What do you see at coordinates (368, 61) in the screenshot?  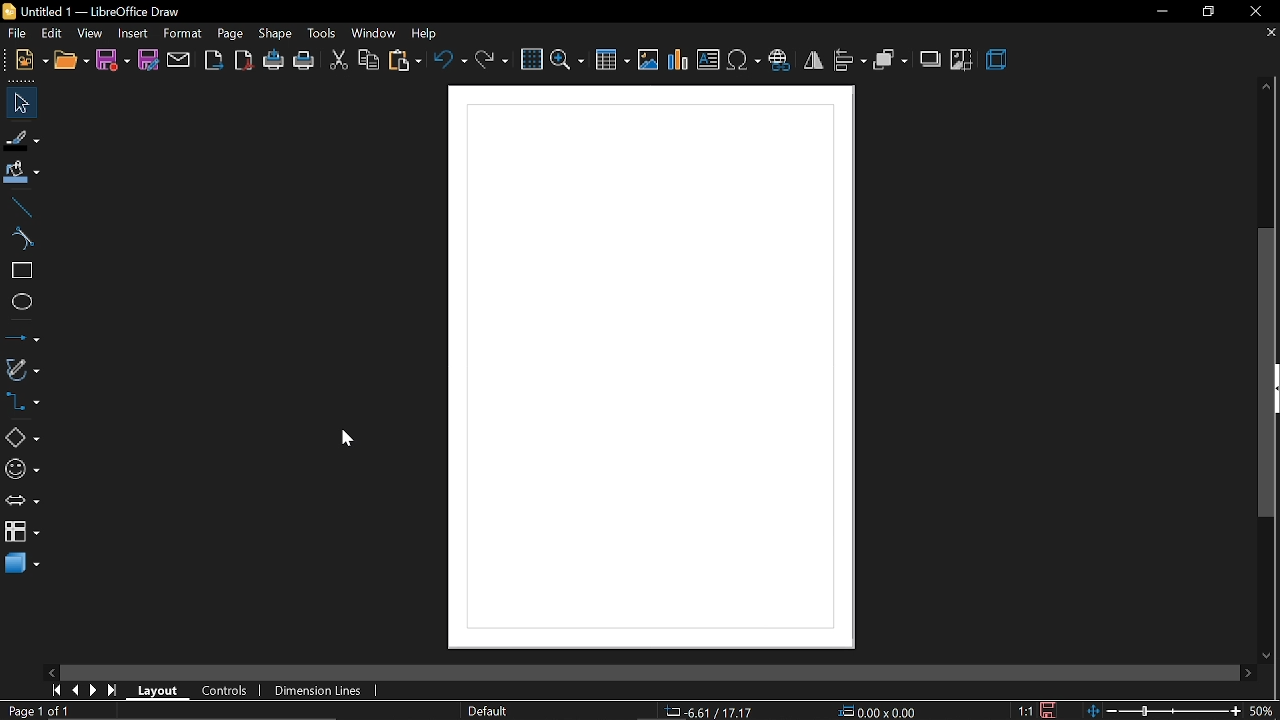 I see `copy` at bounding box center [368, 61].